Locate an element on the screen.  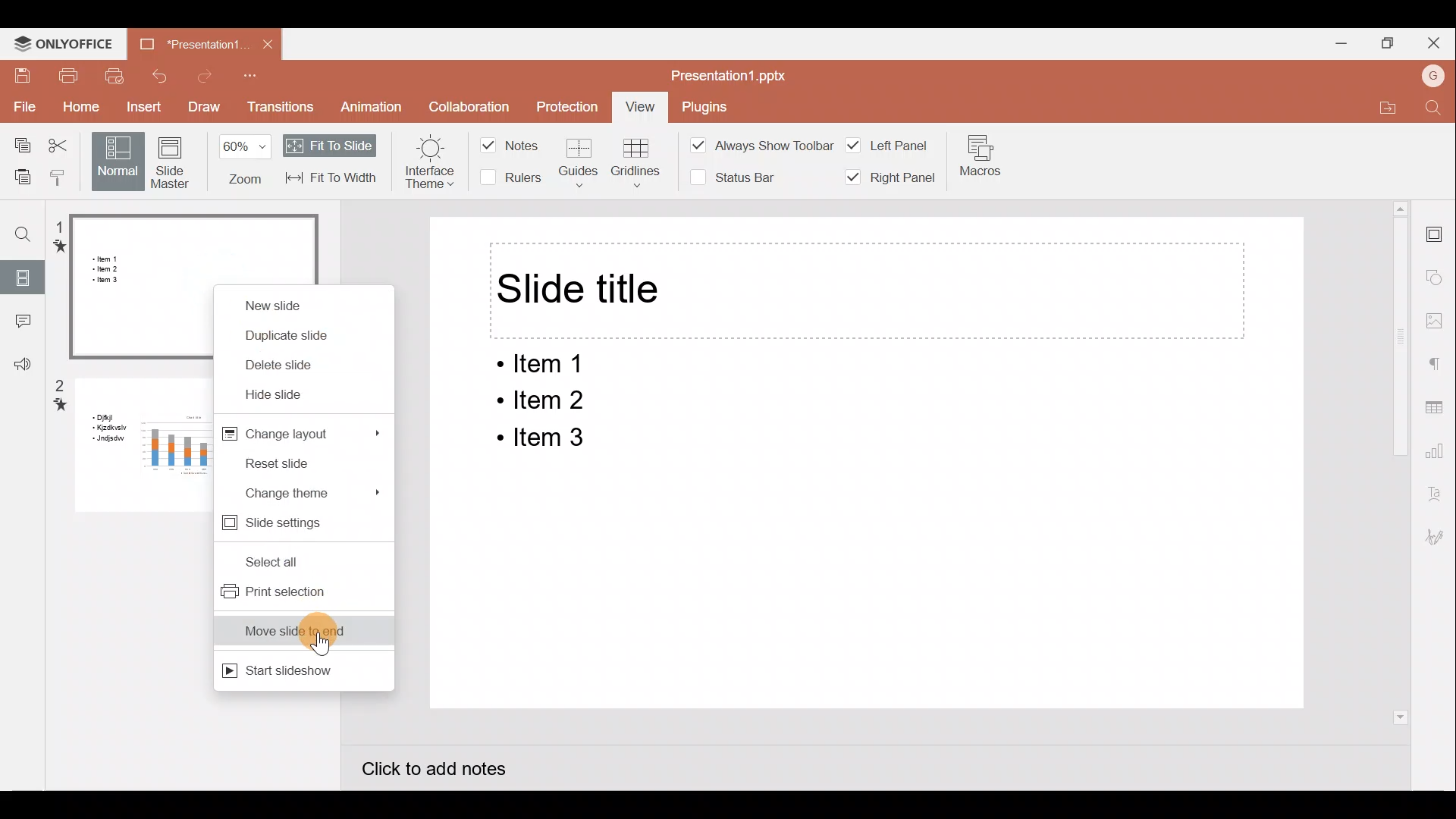
Minimize is located at coordinates (1330, 42).